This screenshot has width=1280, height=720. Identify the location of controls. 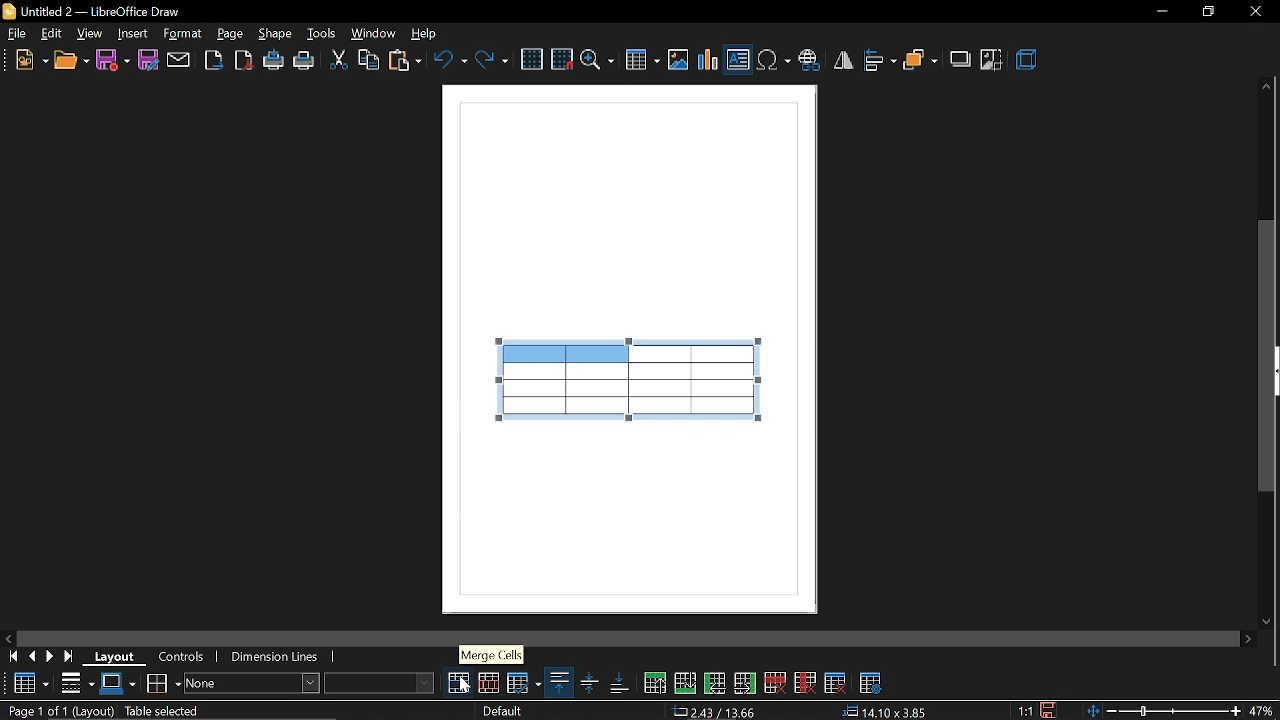
(186, 659).